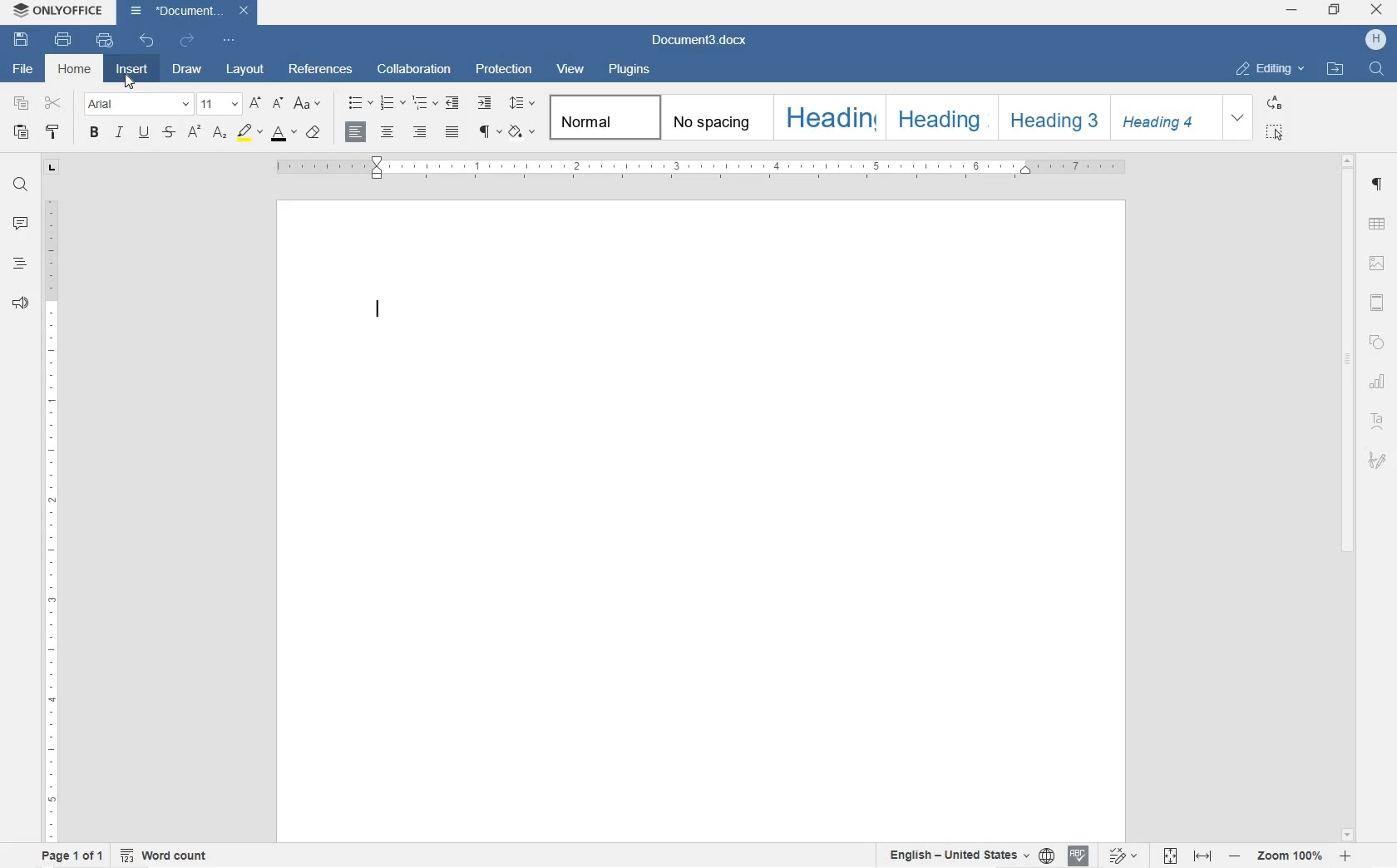 This screenshot has height=868, width=1397. I want to click on FONT COLOR, so click(283, 133).